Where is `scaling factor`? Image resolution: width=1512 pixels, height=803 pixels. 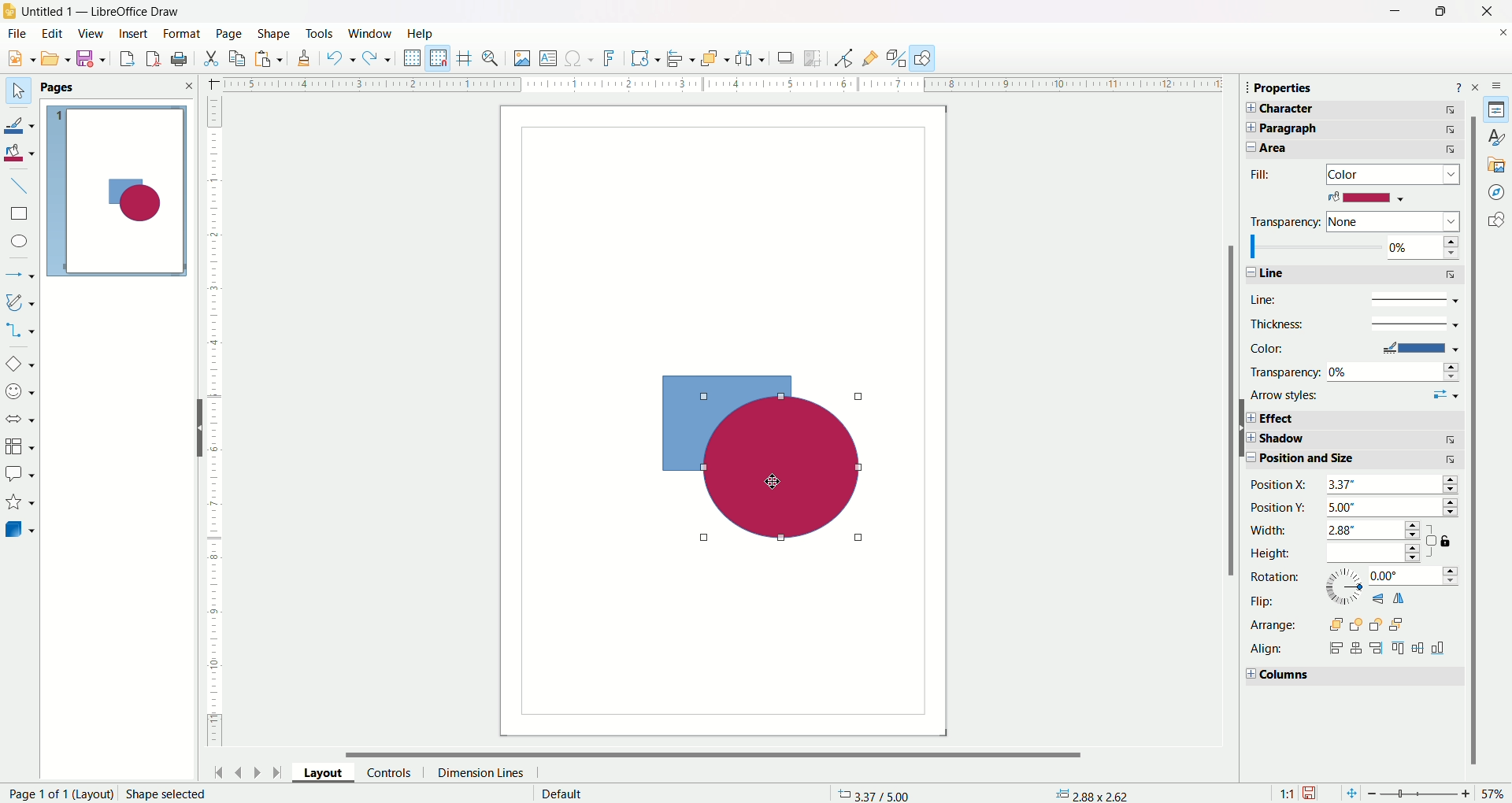 scaling factor is located at coordinates (1283, 792).